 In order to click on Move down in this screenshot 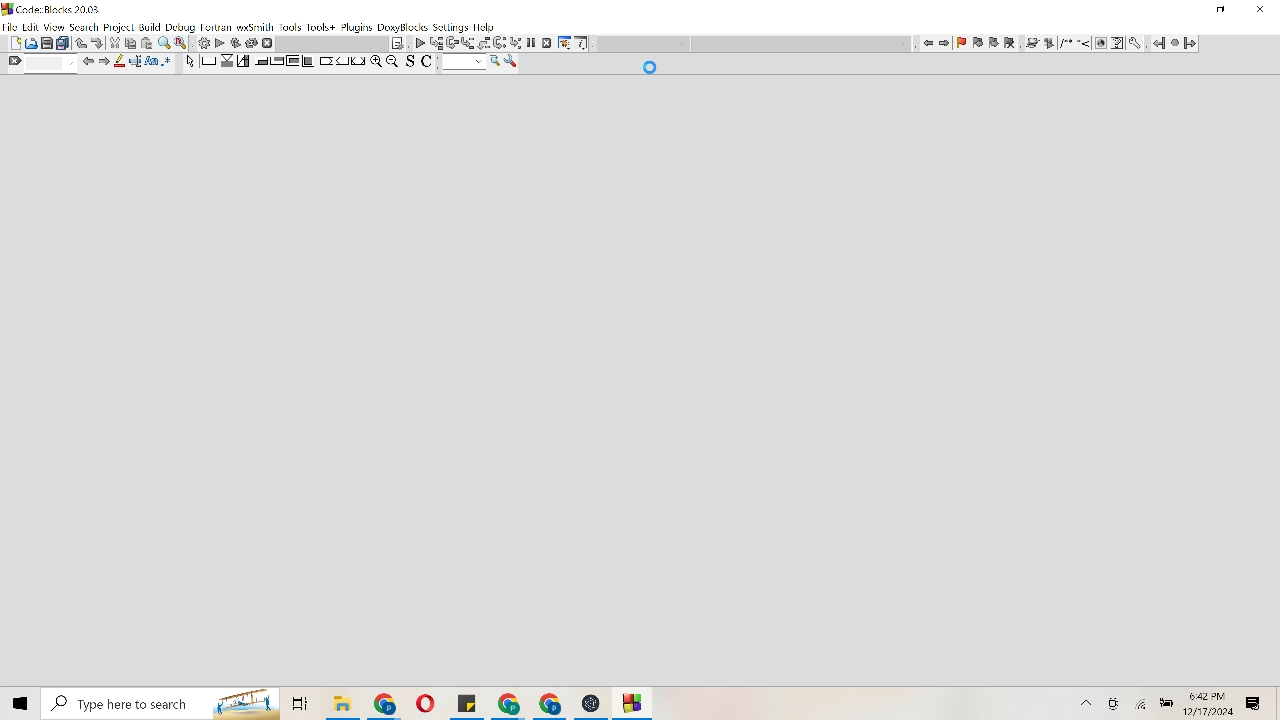, I will do `click(98, 43)`.